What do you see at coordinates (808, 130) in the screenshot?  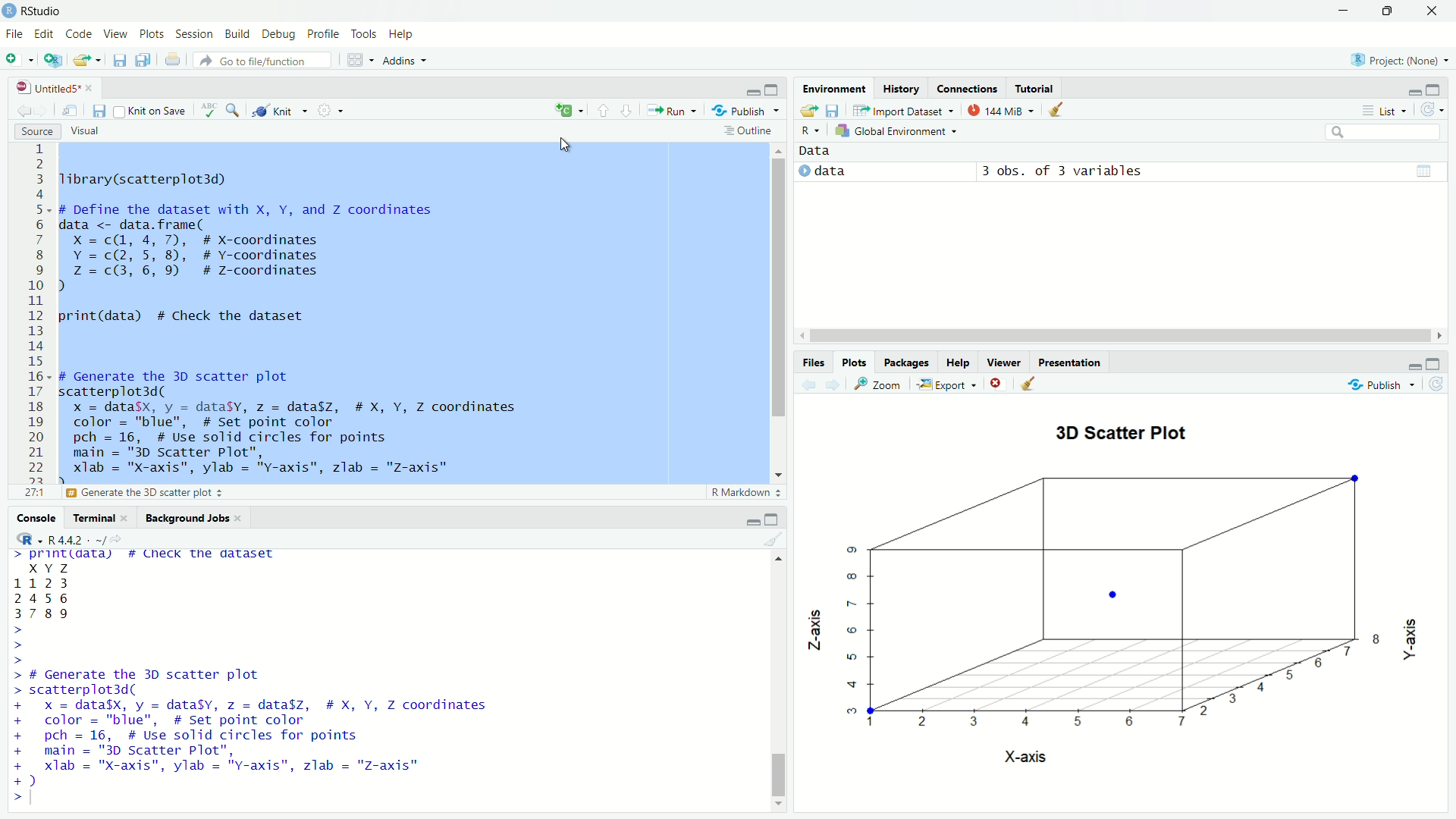 I see `select language` at bounding box center [808, 130].